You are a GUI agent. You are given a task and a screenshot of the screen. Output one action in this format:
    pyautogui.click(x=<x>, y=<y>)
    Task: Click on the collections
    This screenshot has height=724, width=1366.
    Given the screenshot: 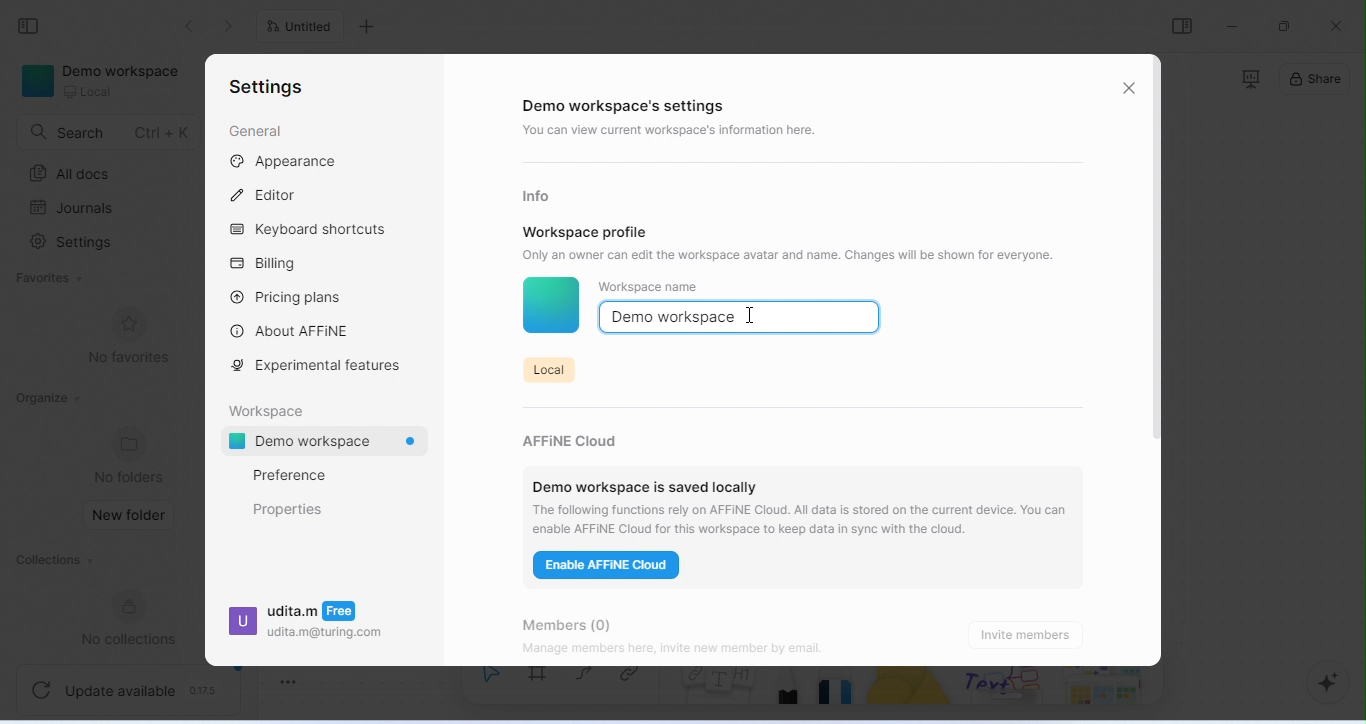 What is the action you would take?
    pyautogui.click(x=53, y=562)
    